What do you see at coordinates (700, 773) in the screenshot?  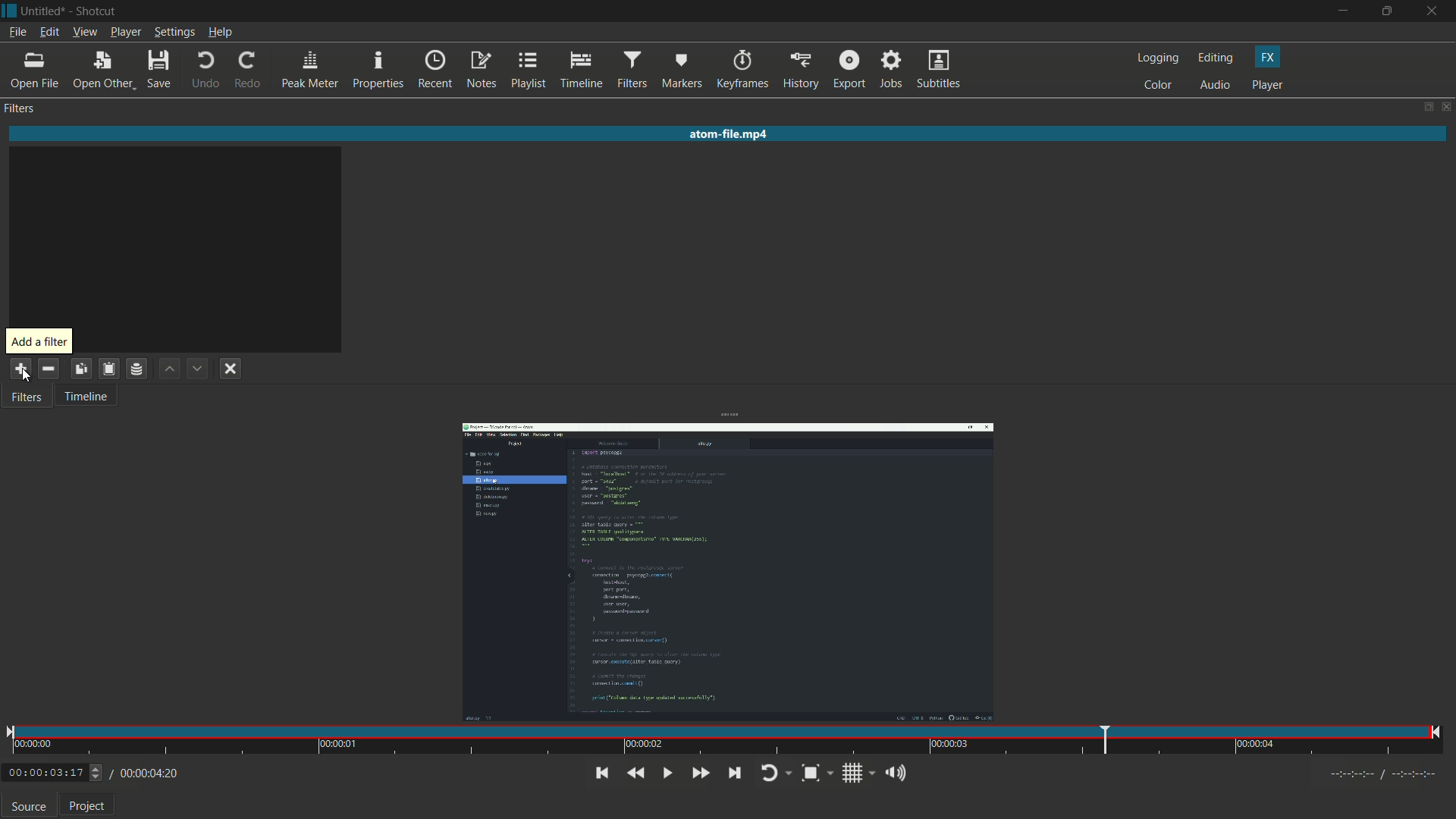 I see `quickly play forward` at bounding box center [700, 773].